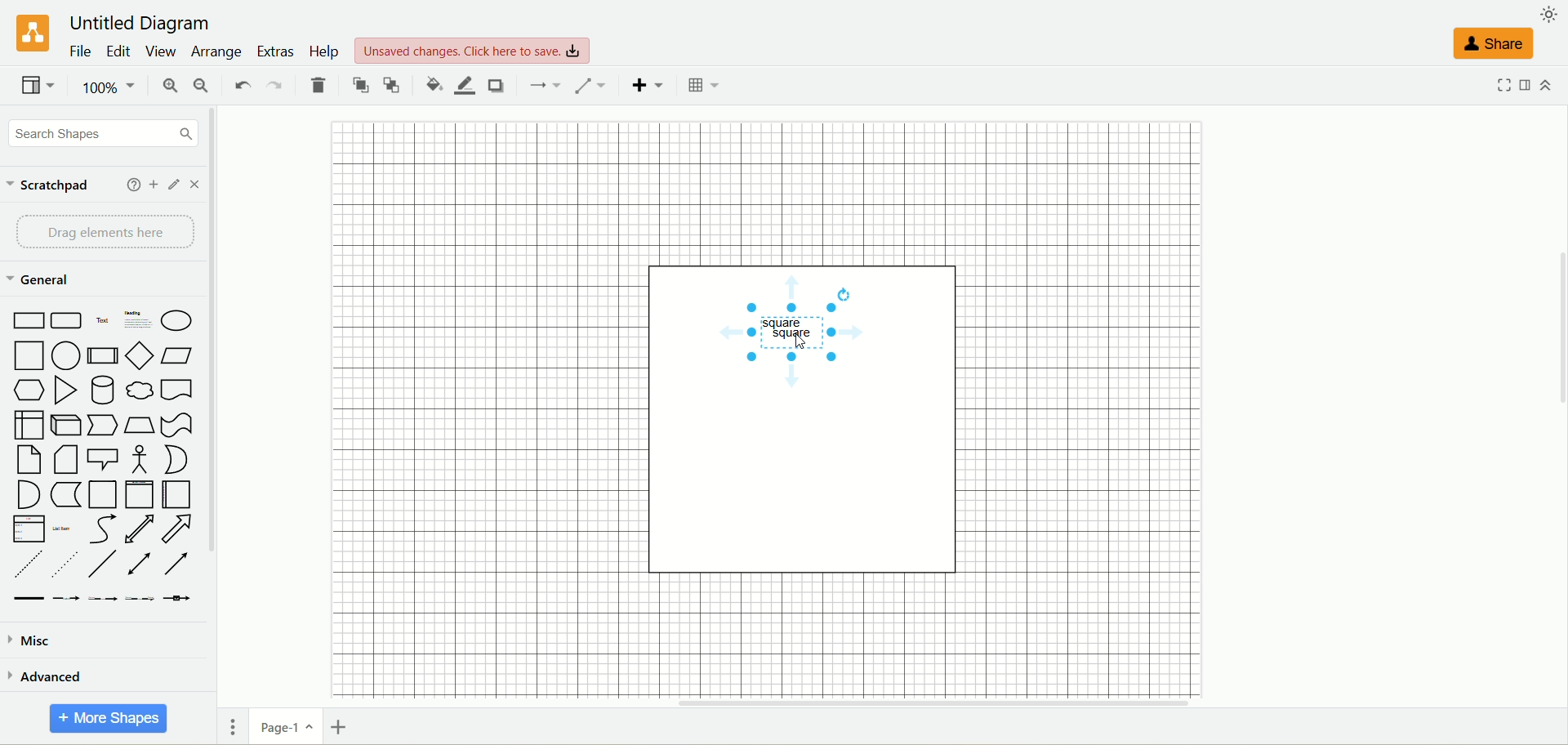 Image resolution: width=1568 pixels, height=745 pixels. I want to click on shadow, so click(497, 85).